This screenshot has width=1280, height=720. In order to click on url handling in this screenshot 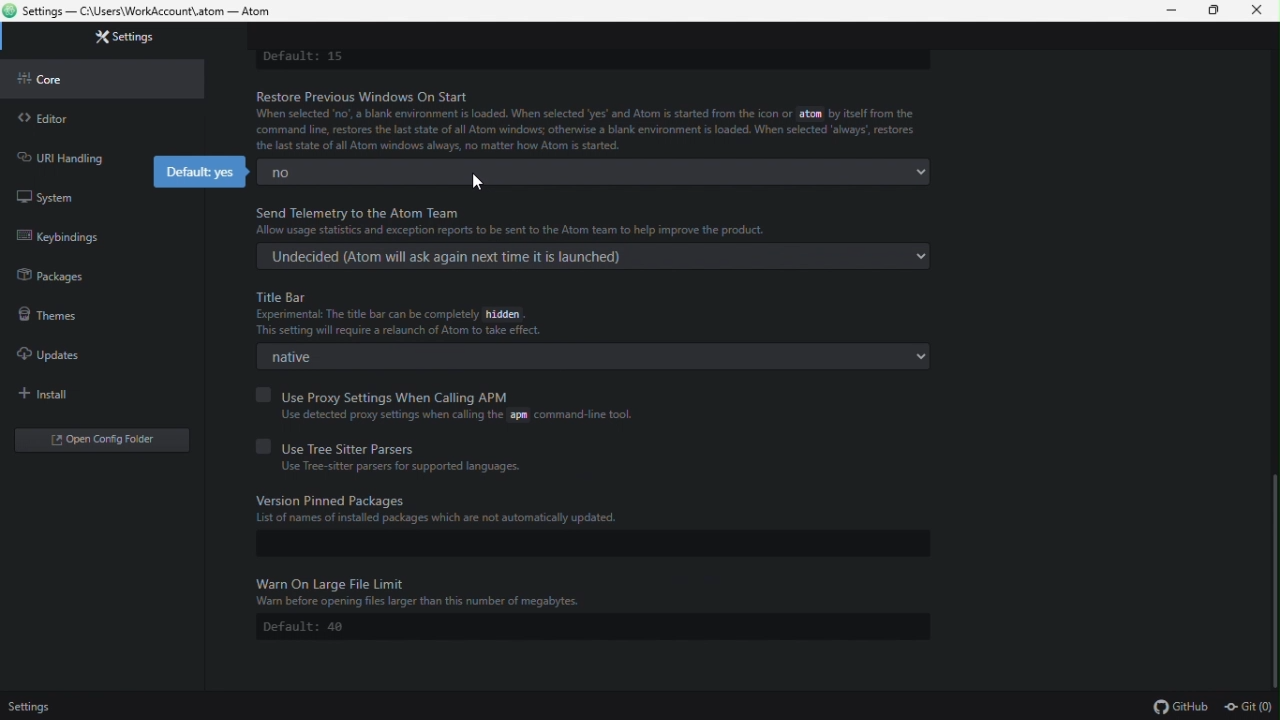, I will do `click(66, 155)`.